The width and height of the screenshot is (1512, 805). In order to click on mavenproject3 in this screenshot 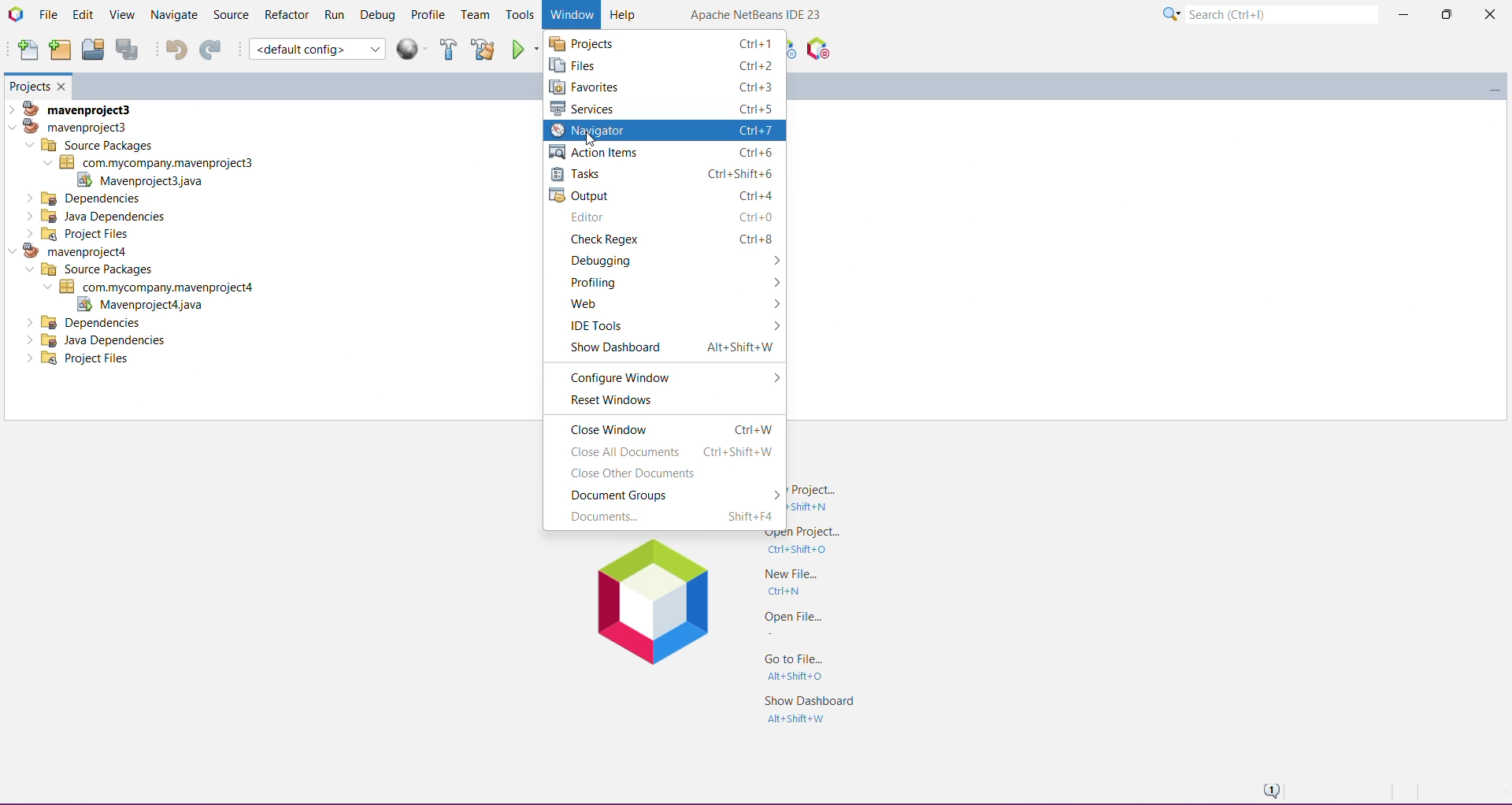, I will do `click(76, 107)`.